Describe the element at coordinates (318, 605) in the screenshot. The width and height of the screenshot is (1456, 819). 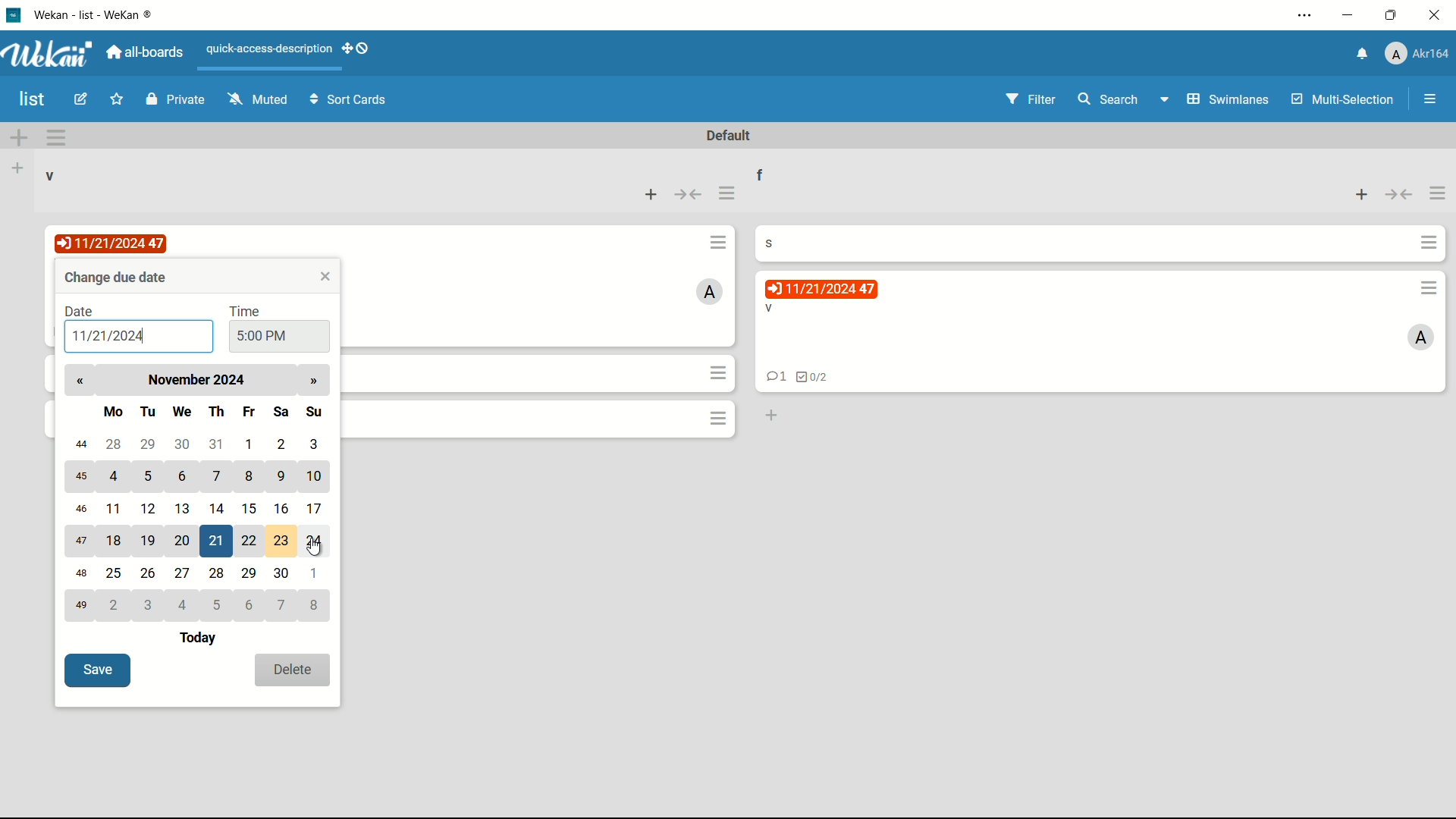
I see `8` at that location.